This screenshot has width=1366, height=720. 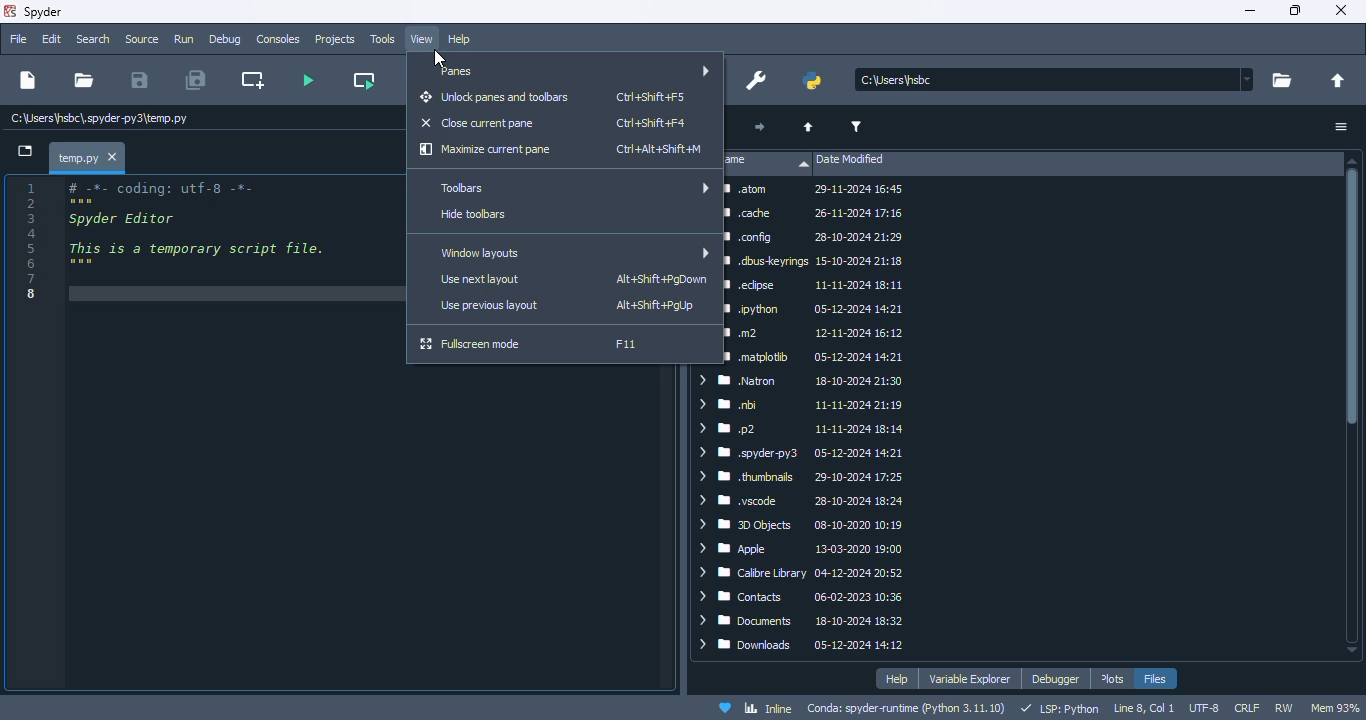 I want to click on source, so click(x=142, y=39).